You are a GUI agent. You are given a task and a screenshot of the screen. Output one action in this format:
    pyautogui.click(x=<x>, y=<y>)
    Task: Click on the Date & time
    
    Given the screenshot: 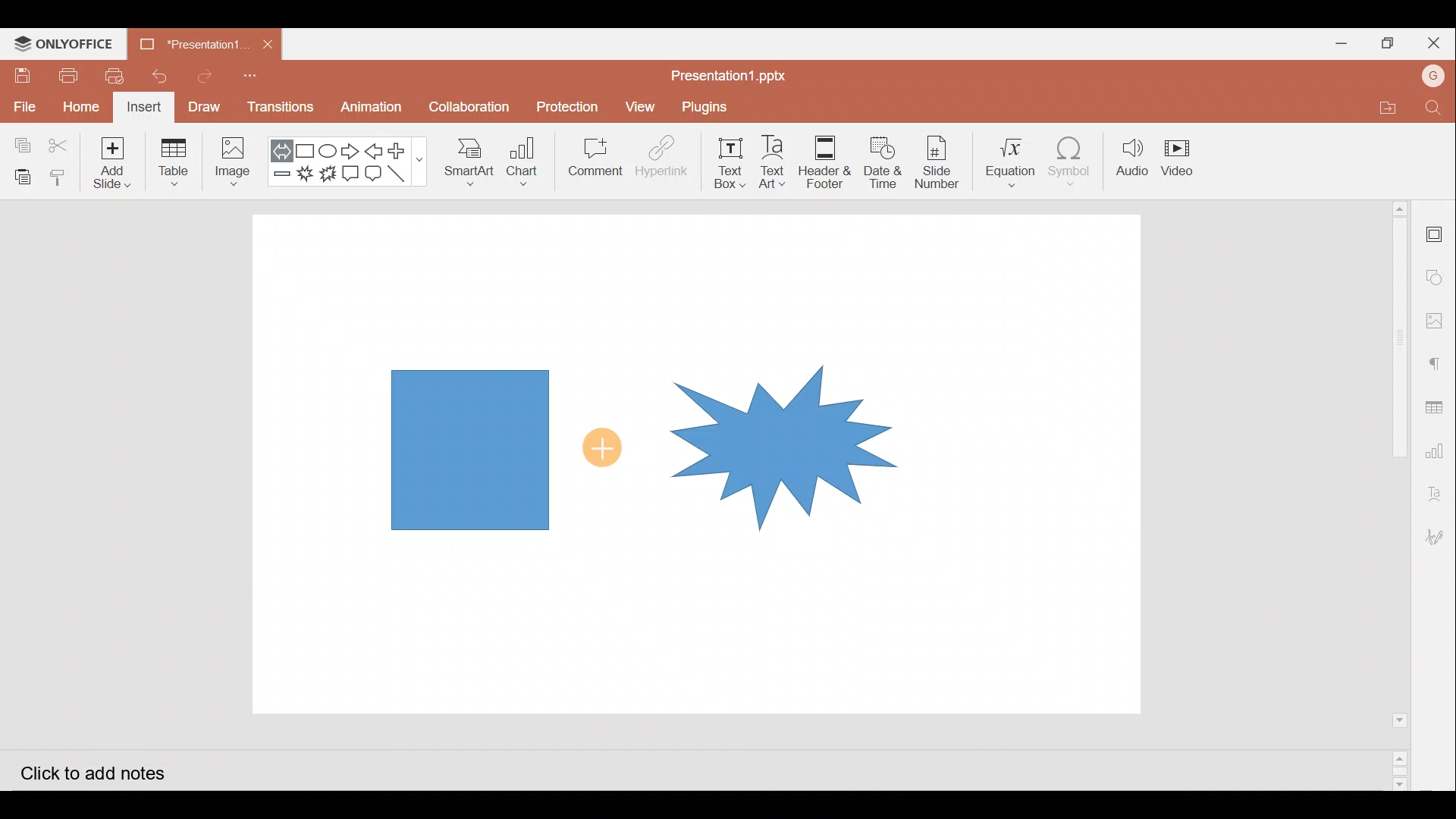 What is the action you would take?
    pyautogui.click(x=883, y=162)
    